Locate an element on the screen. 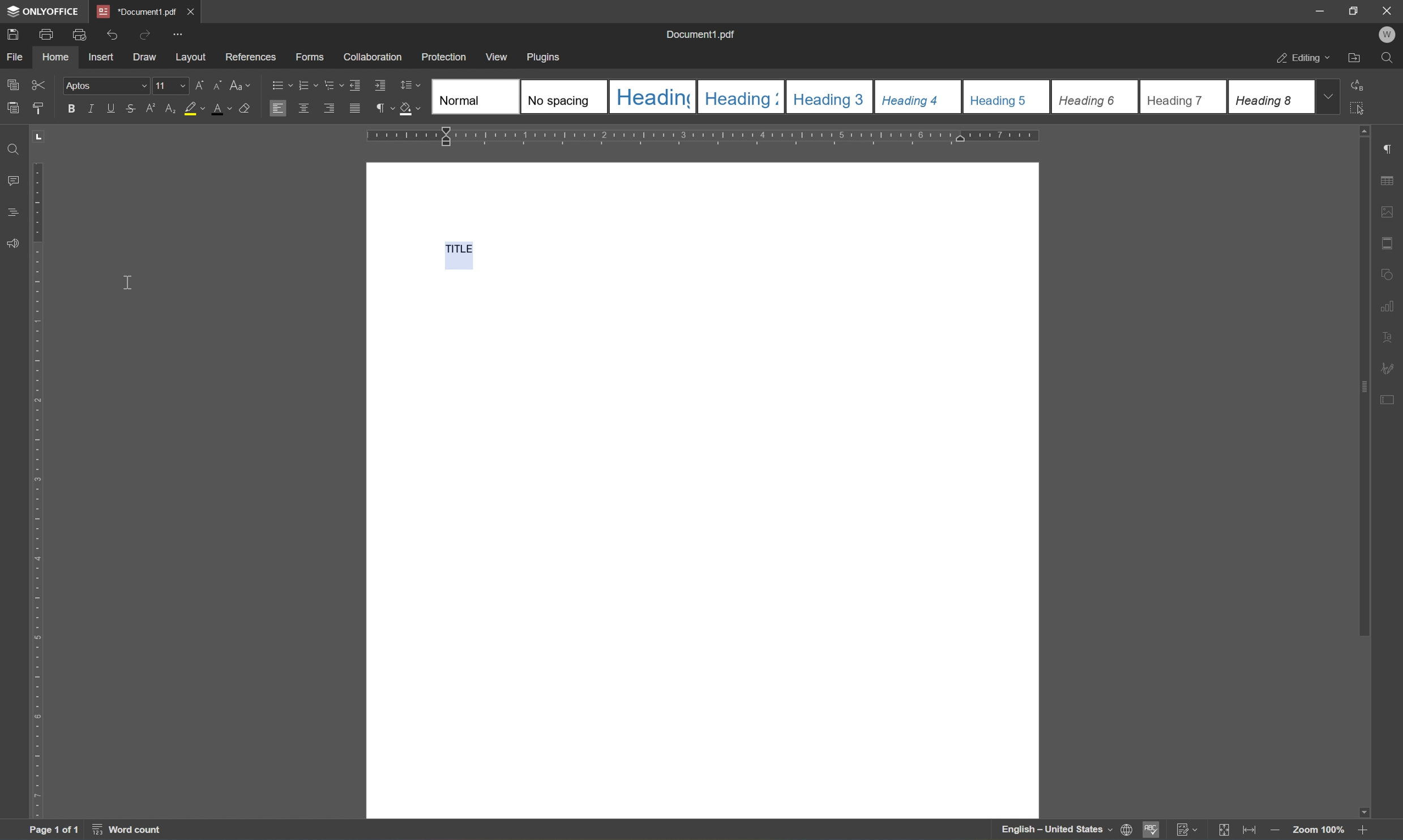  find is located at coordinates (1391, 57).